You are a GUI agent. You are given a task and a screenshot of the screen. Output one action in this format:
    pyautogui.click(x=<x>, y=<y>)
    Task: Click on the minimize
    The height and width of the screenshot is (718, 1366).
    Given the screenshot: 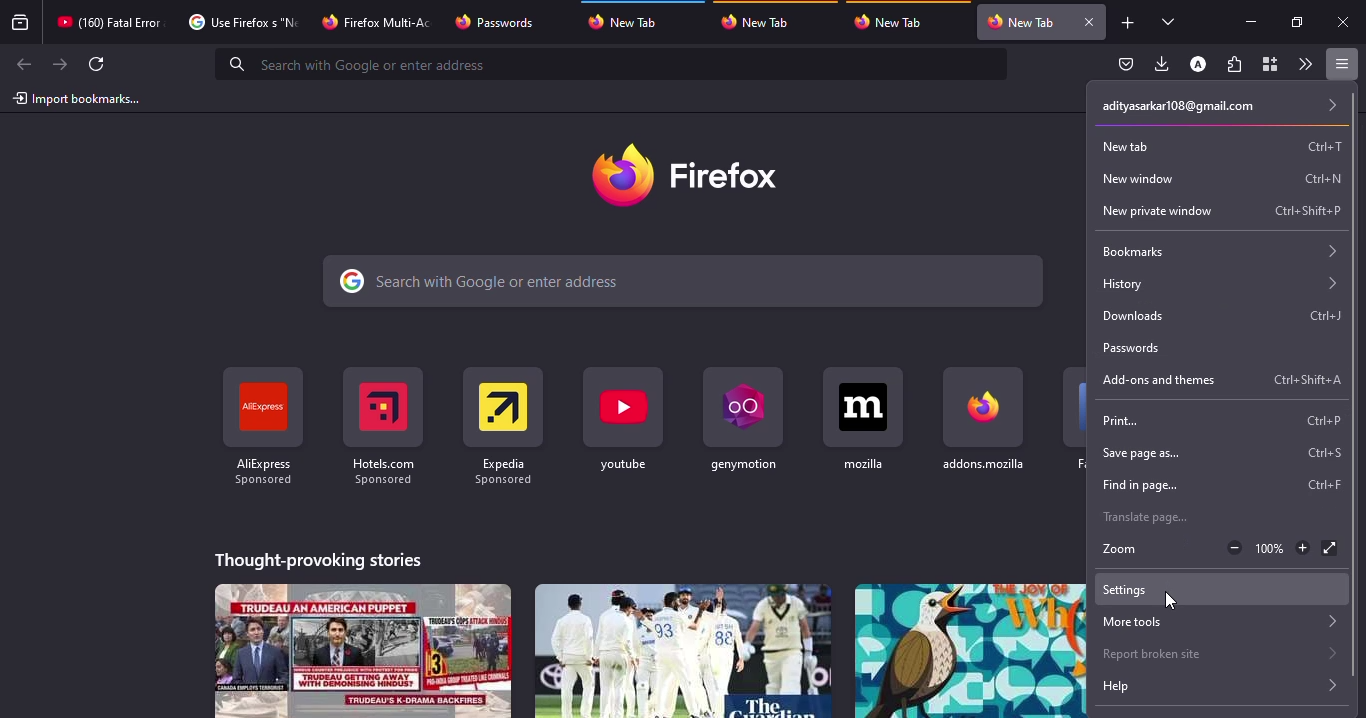 What is the action you would take?
    pyautogui.click(x=1250, y=21)
    